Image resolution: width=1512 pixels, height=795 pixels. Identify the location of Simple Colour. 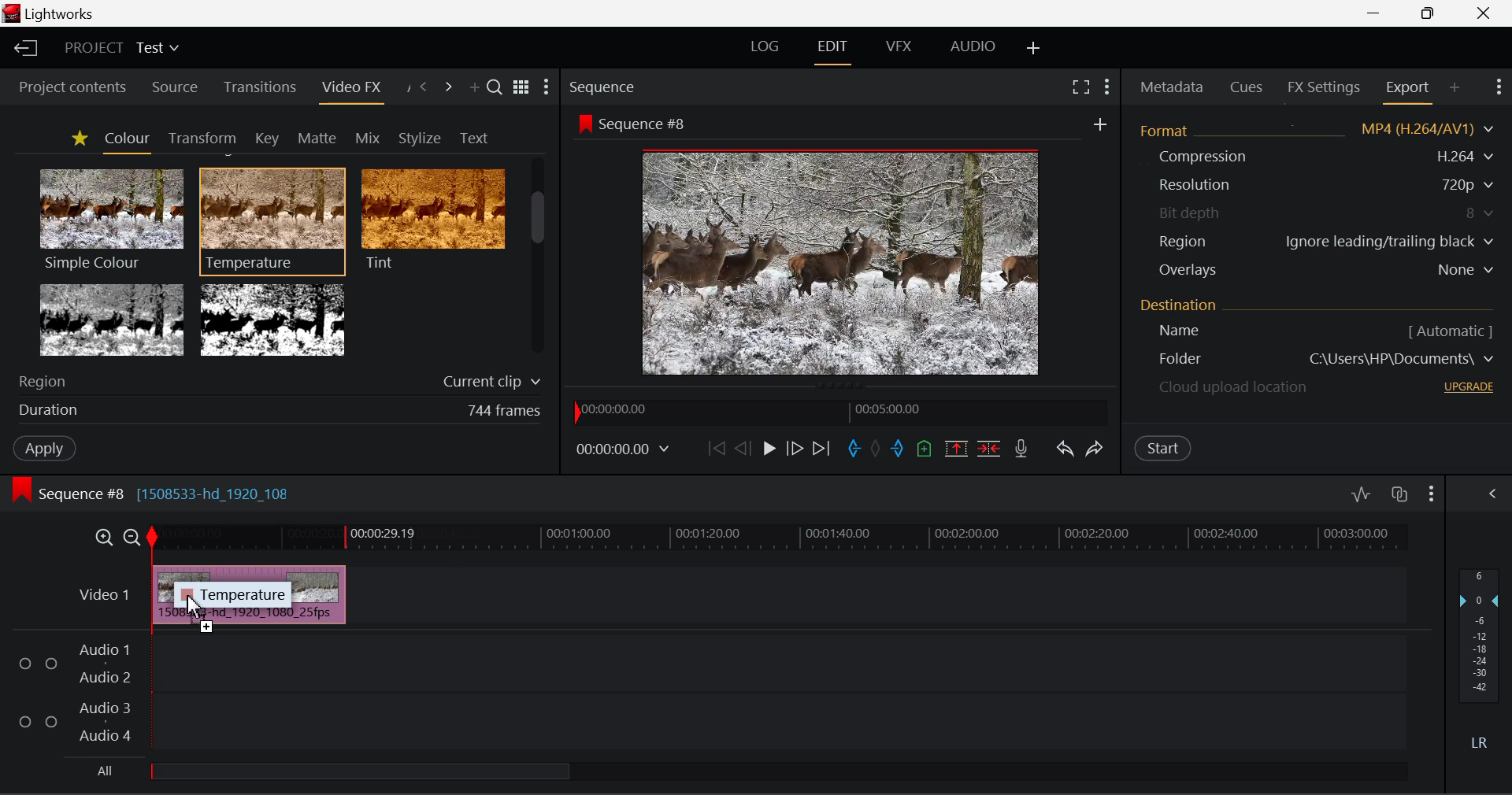
(110, 219).